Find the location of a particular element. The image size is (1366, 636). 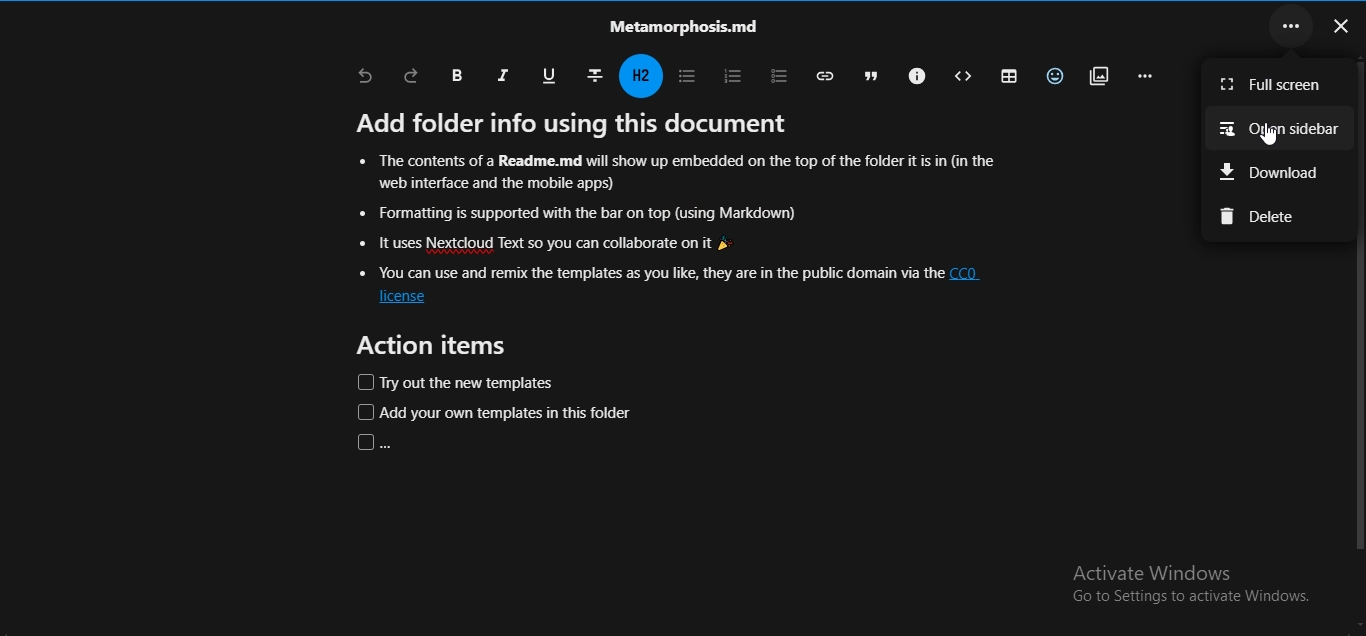

italic is located at coordinates (505, 74).